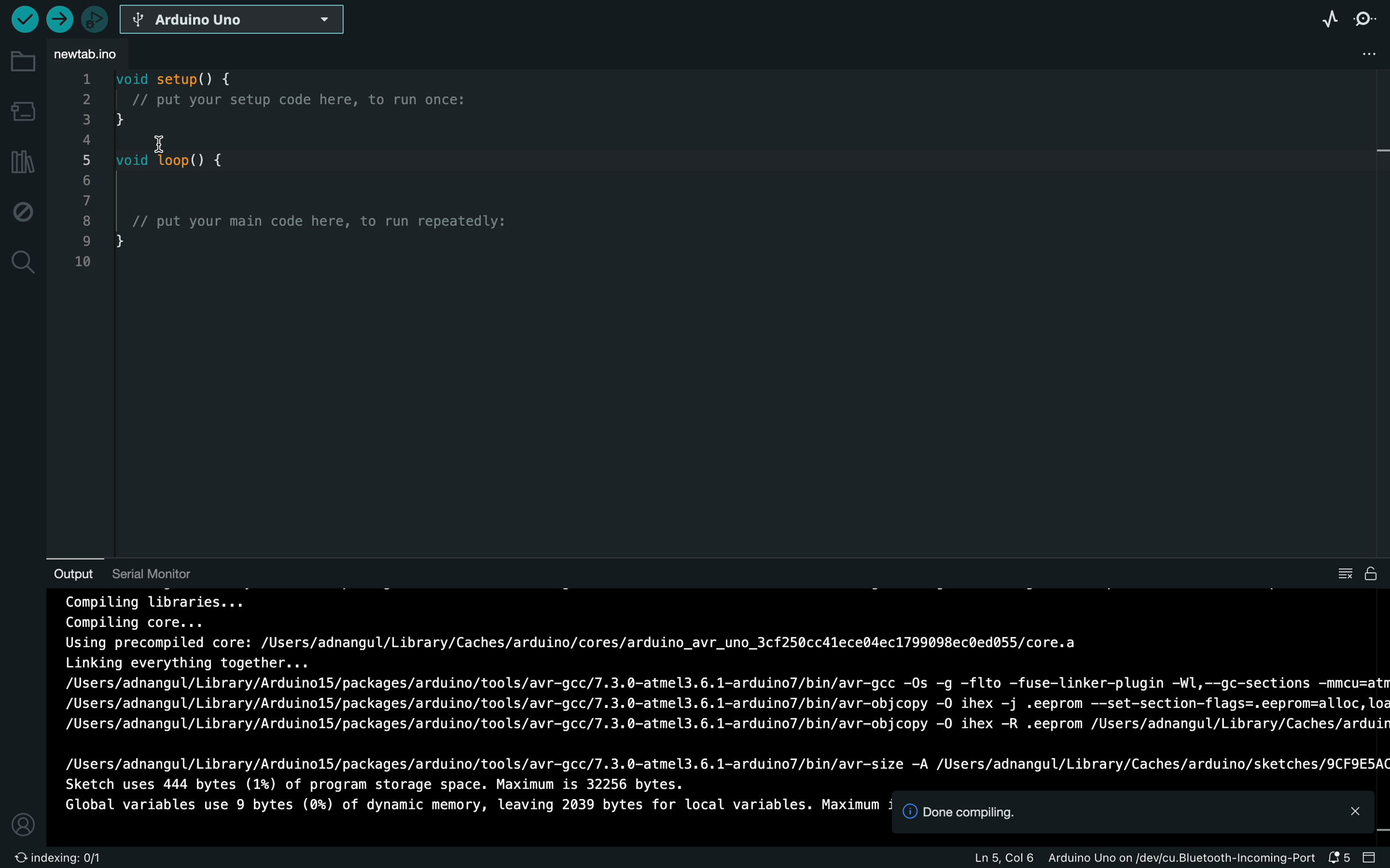  What do you see at coordinates (59, 18) in the screenshot?
I see `upload` at bounding box center [59, 18].